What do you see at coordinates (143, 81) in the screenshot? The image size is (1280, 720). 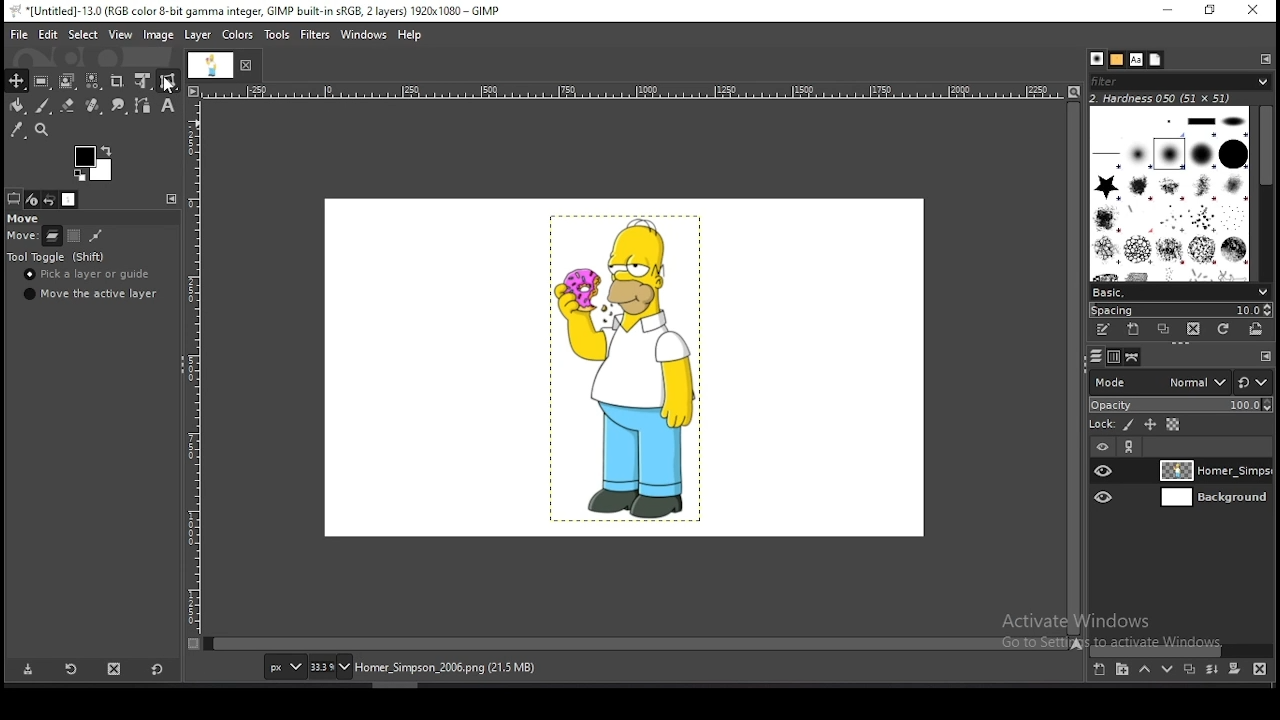 I see `unified transform tool` at bounding box center [143, 81].